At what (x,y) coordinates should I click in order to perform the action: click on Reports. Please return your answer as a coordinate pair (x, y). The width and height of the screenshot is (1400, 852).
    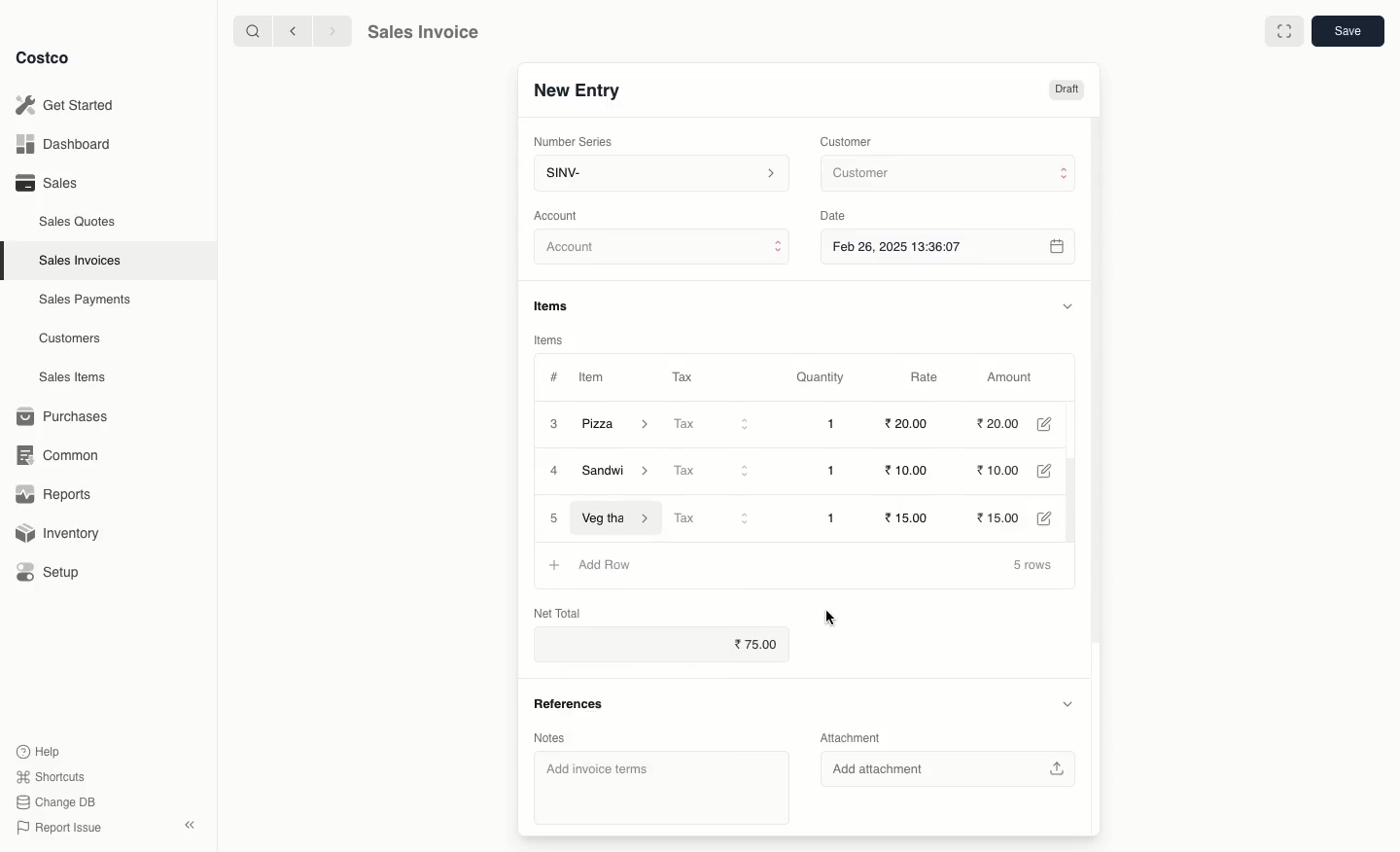
    Looking at the image, I should click on (54, 496).